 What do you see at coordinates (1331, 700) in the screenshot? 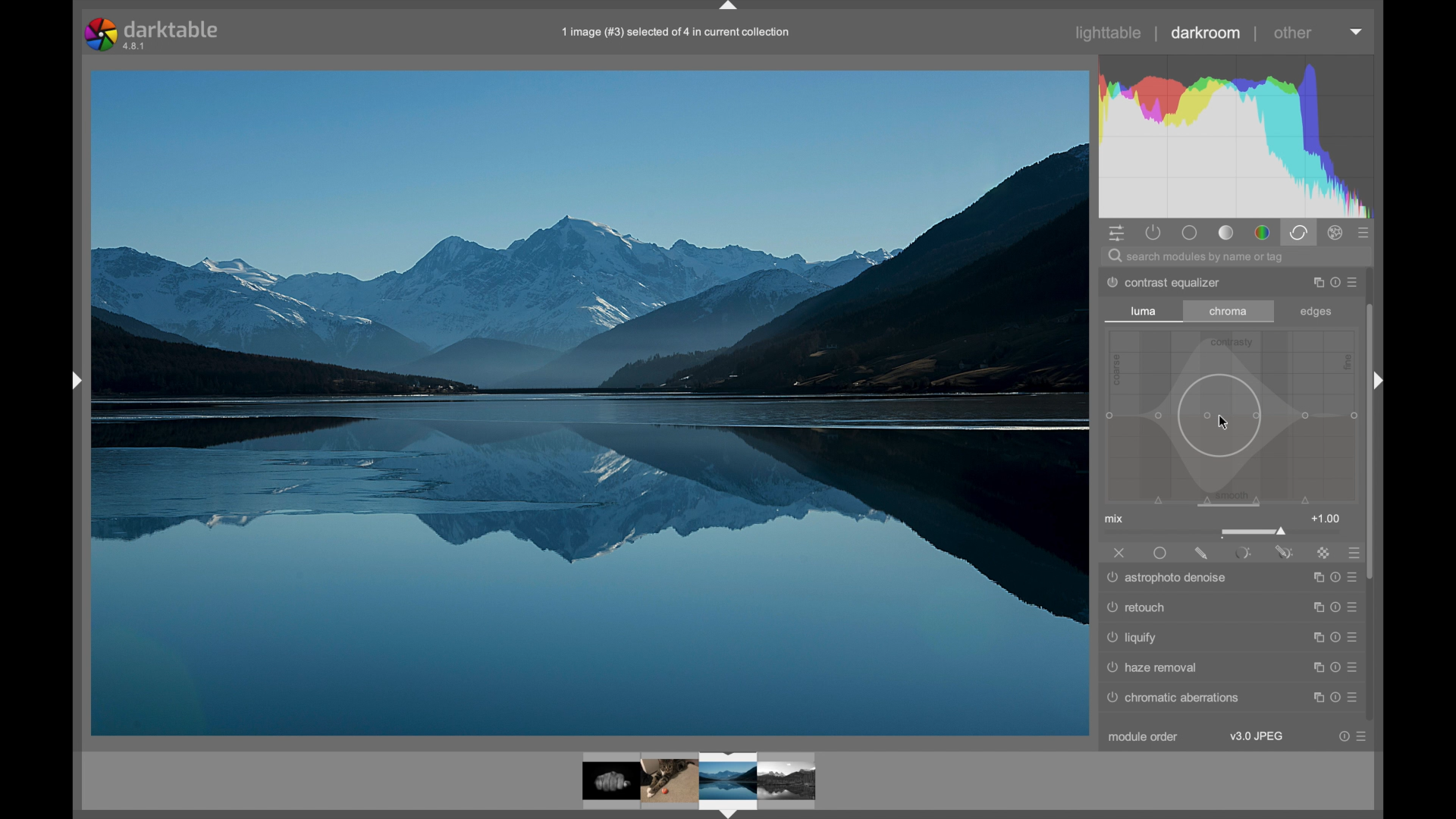
I see `more options` at bounding box center [1331, 700].